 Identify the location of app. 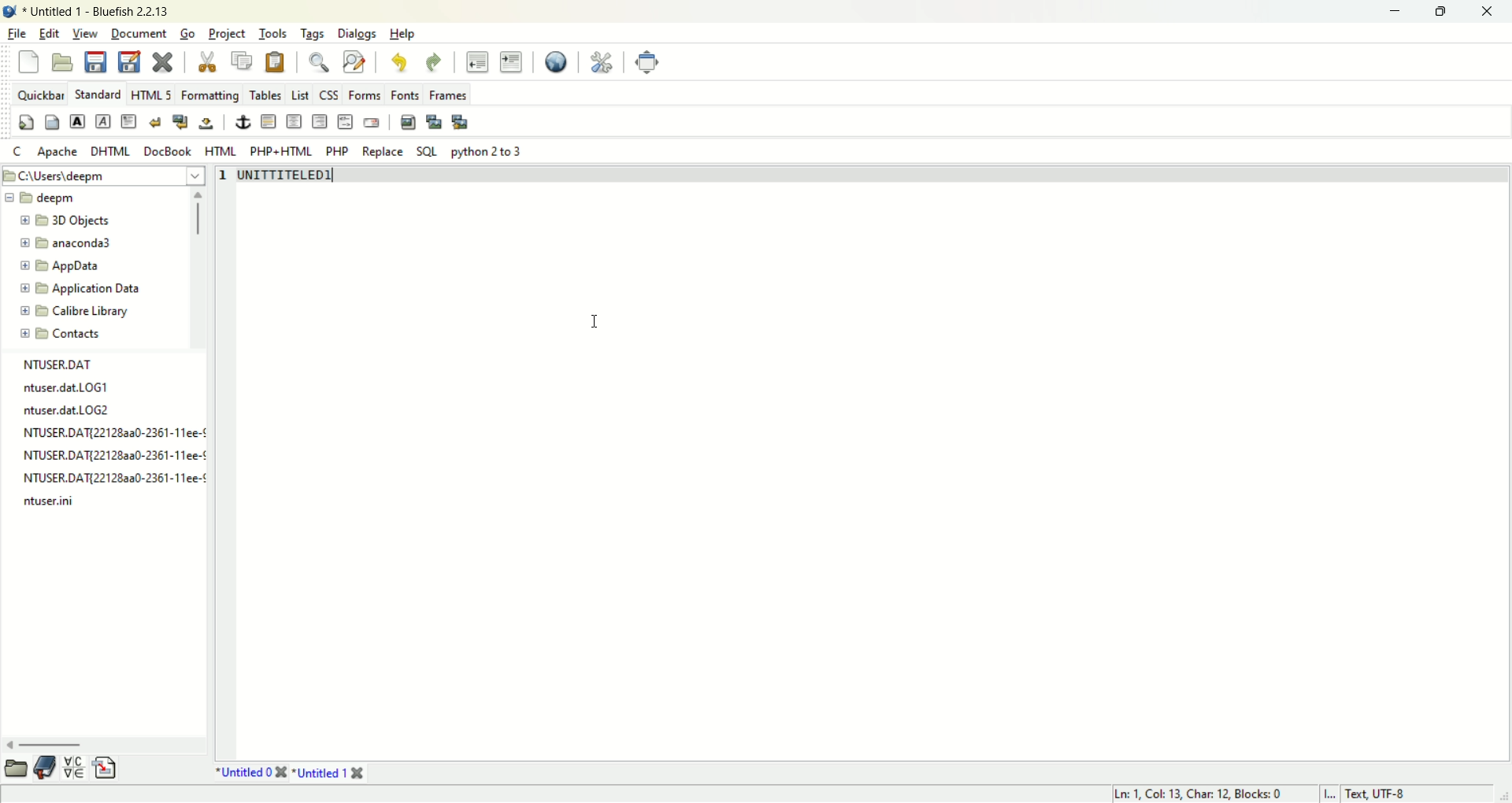
(61, 265).